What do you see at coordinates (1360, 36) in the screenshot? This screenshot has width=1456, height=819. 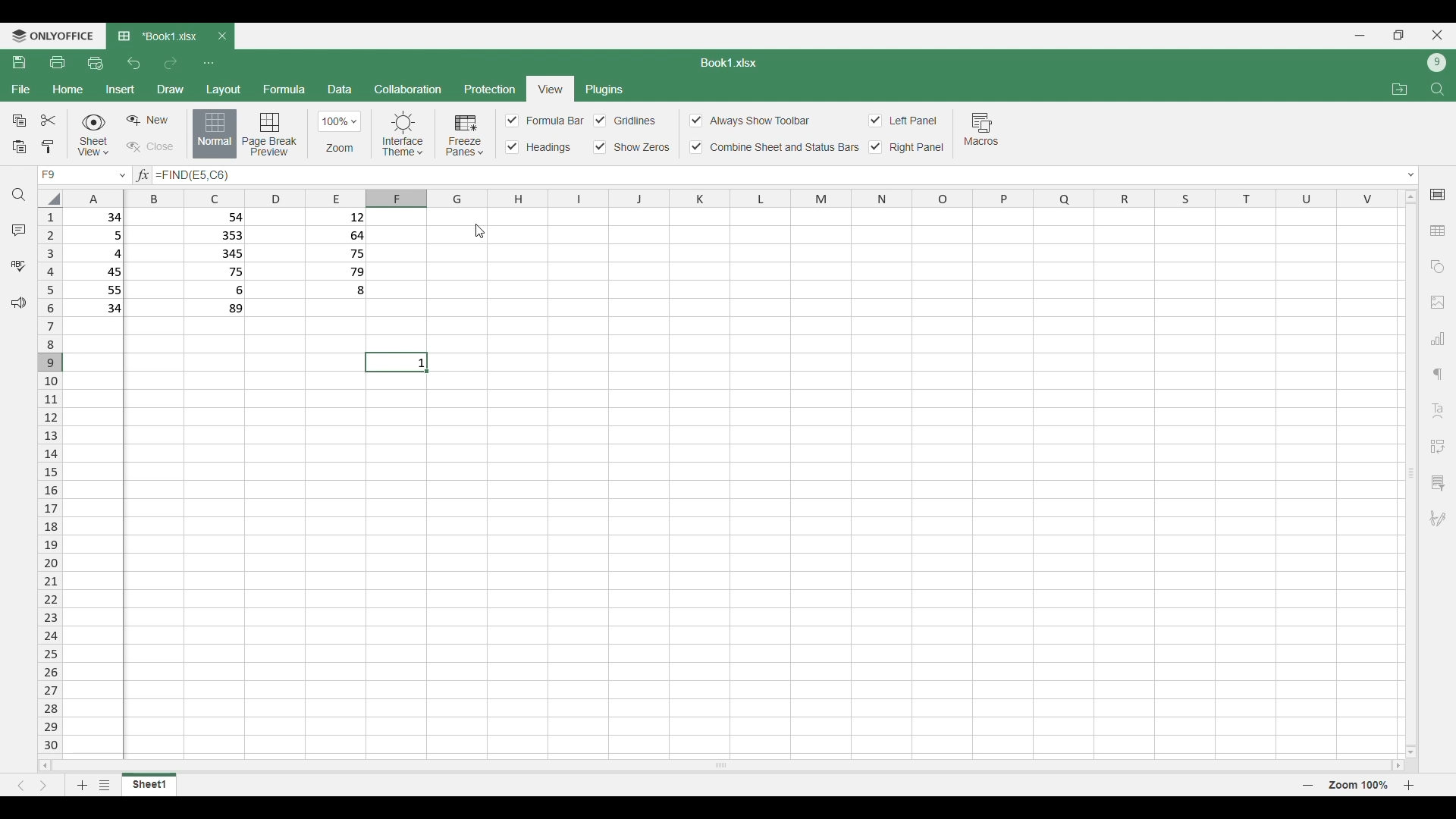 I see `Minimize` at bounding box center [1360, 36].